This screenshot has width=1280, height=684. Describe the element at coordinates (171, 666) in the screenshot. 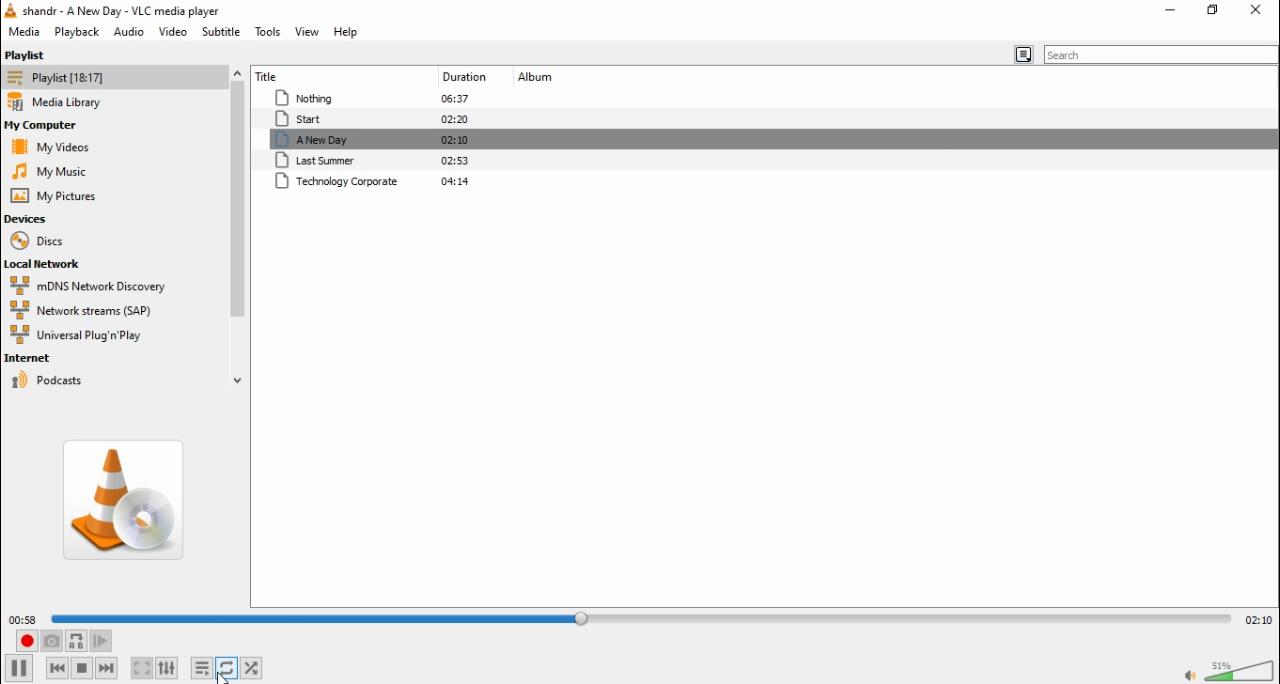

I see `show extended settings` at that location.